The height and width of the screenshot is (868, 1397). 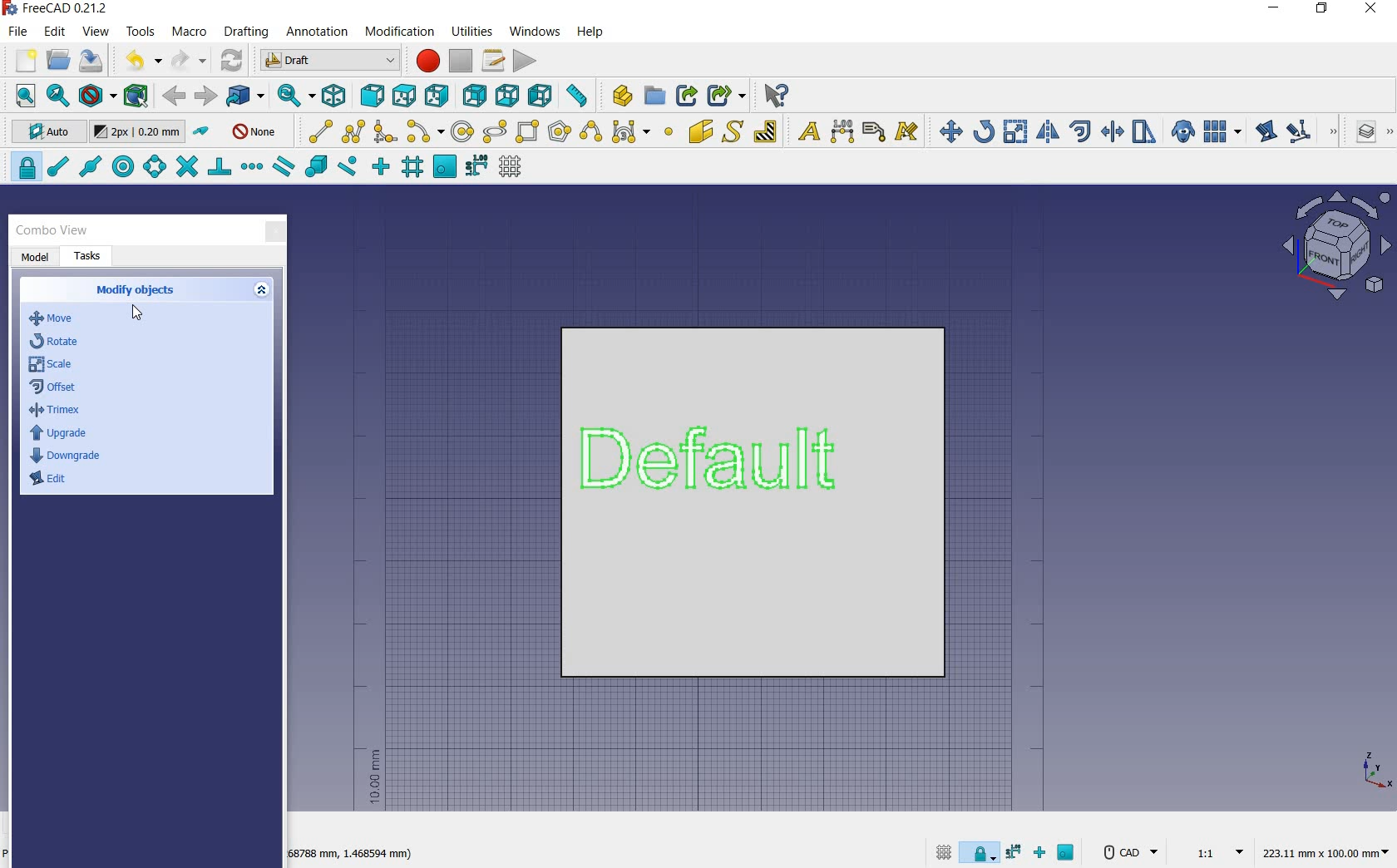 What do you see at coordinates (20, 33) in the screenshot?
I see `file` at bounding box center [20, 33].